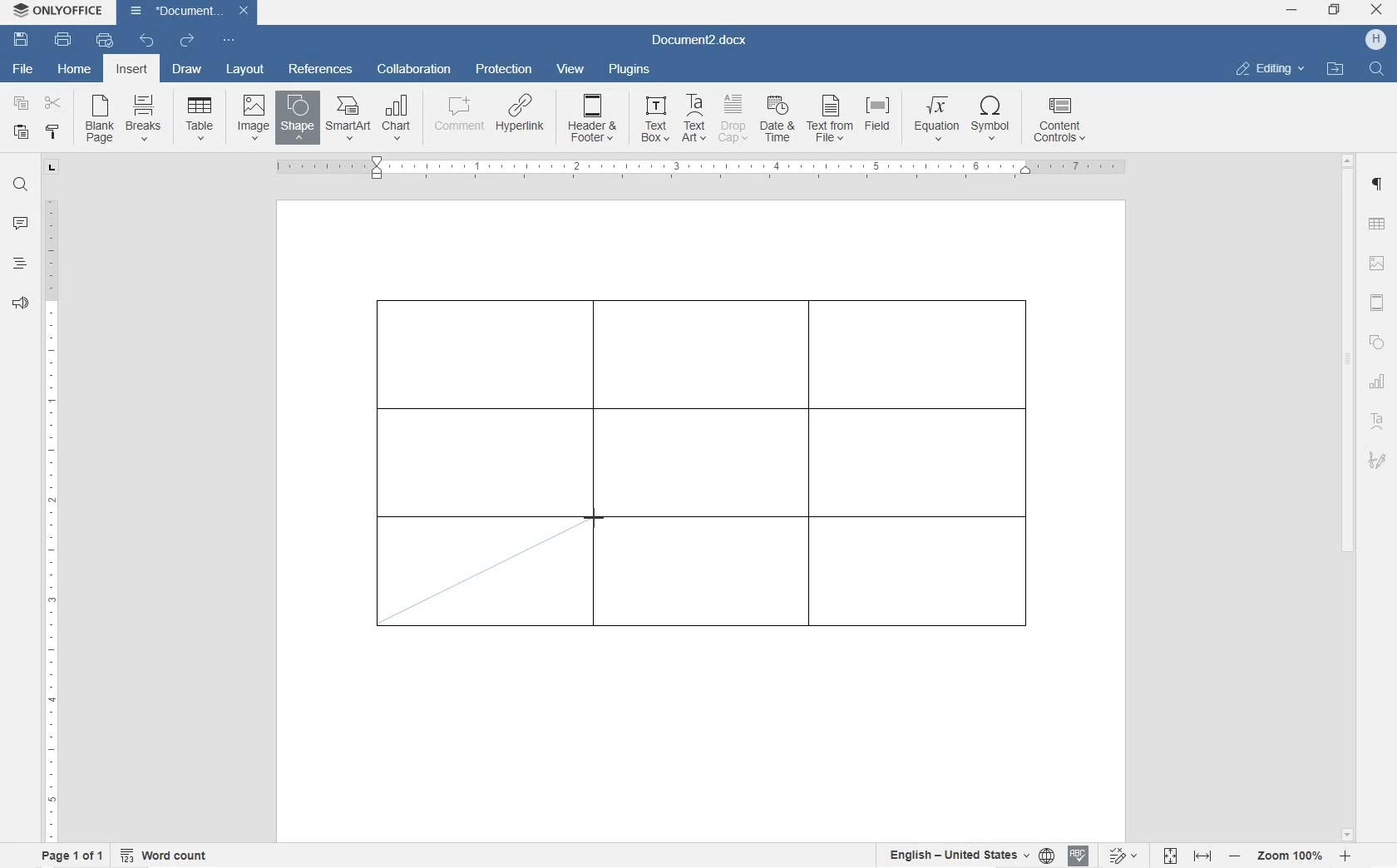 Image resolution: width=1397 pixels, height=868 pixels. Describe the element at coordinates (196, 118) in the screenshot. I see `insert table` at that location.